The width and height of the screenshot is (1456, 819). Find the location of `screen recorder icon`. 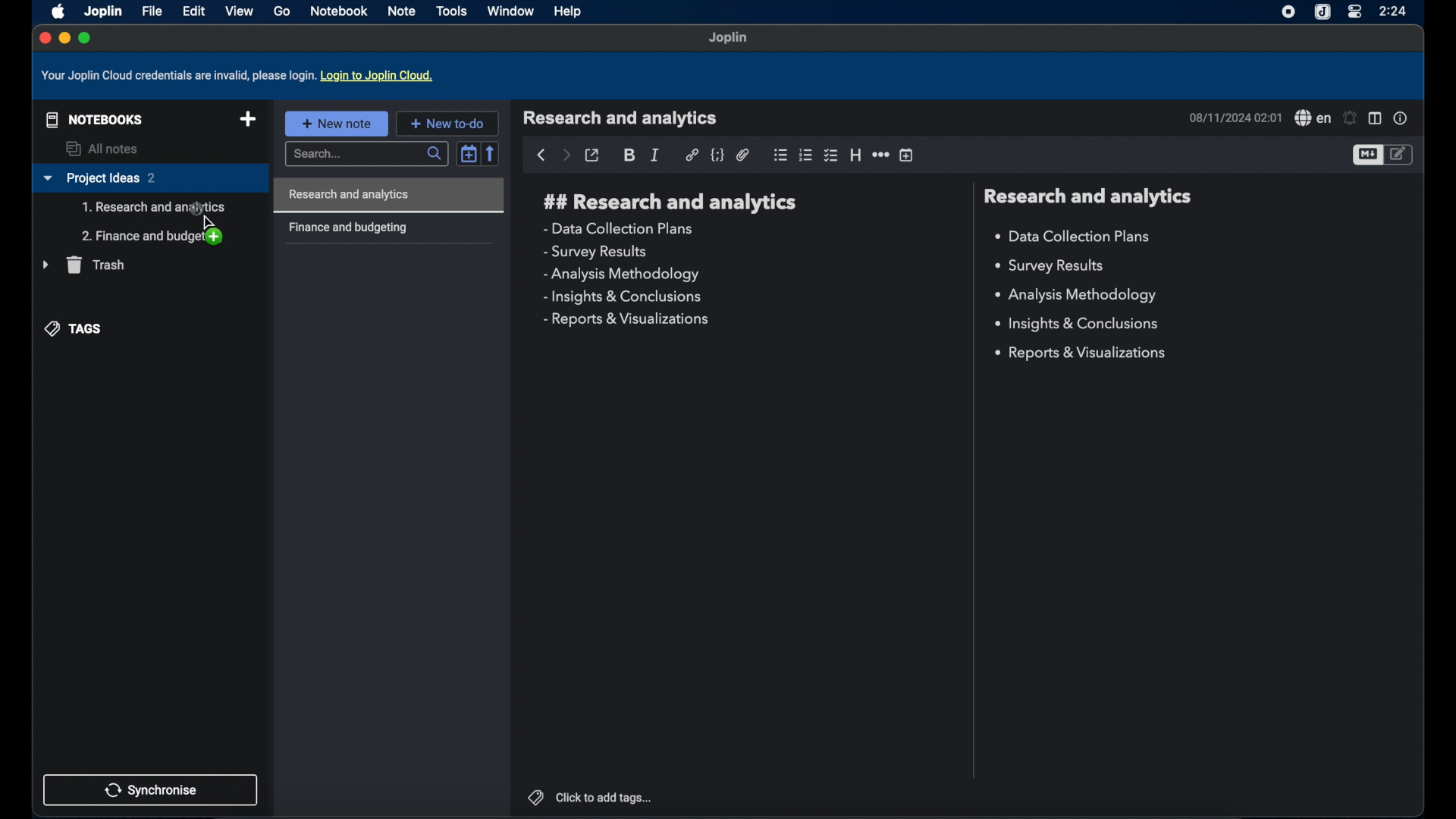

screen recorder icon is located at coordinates (1285, 12).